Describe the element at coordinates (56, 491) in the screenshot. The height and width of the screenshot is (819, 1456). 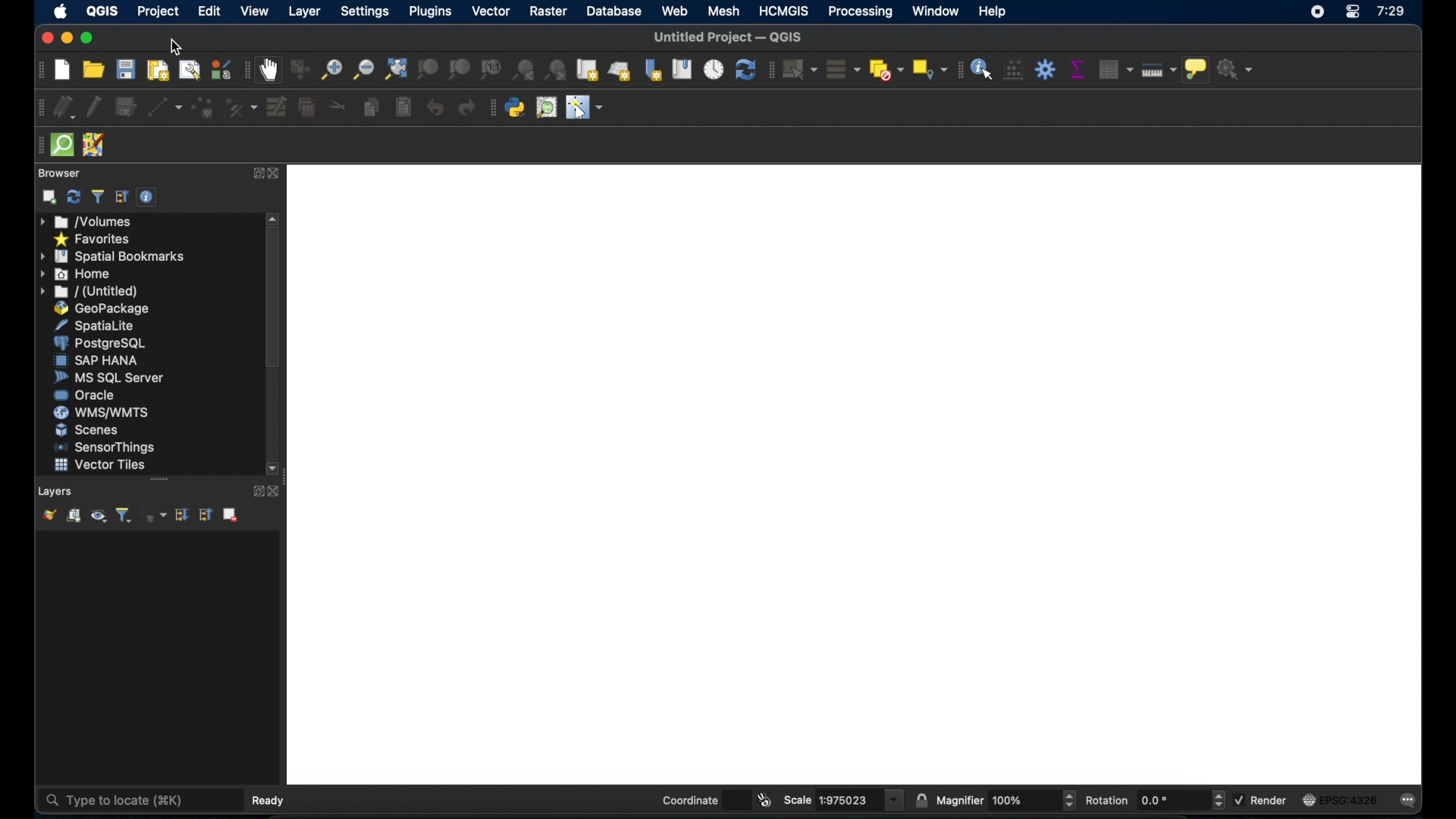
I see `layers` at that location.